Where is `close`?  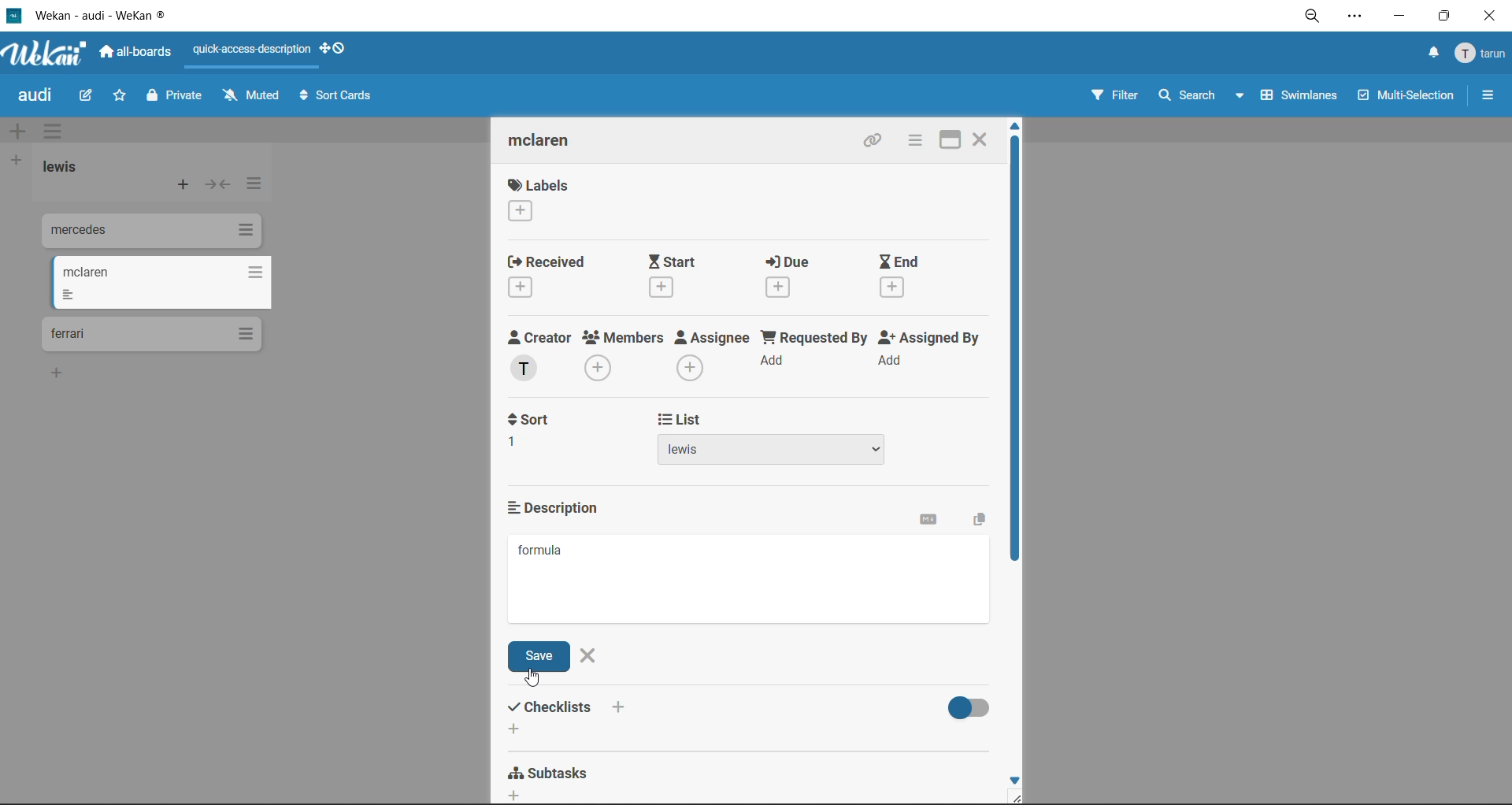 close is located at coordinates (981, 138).